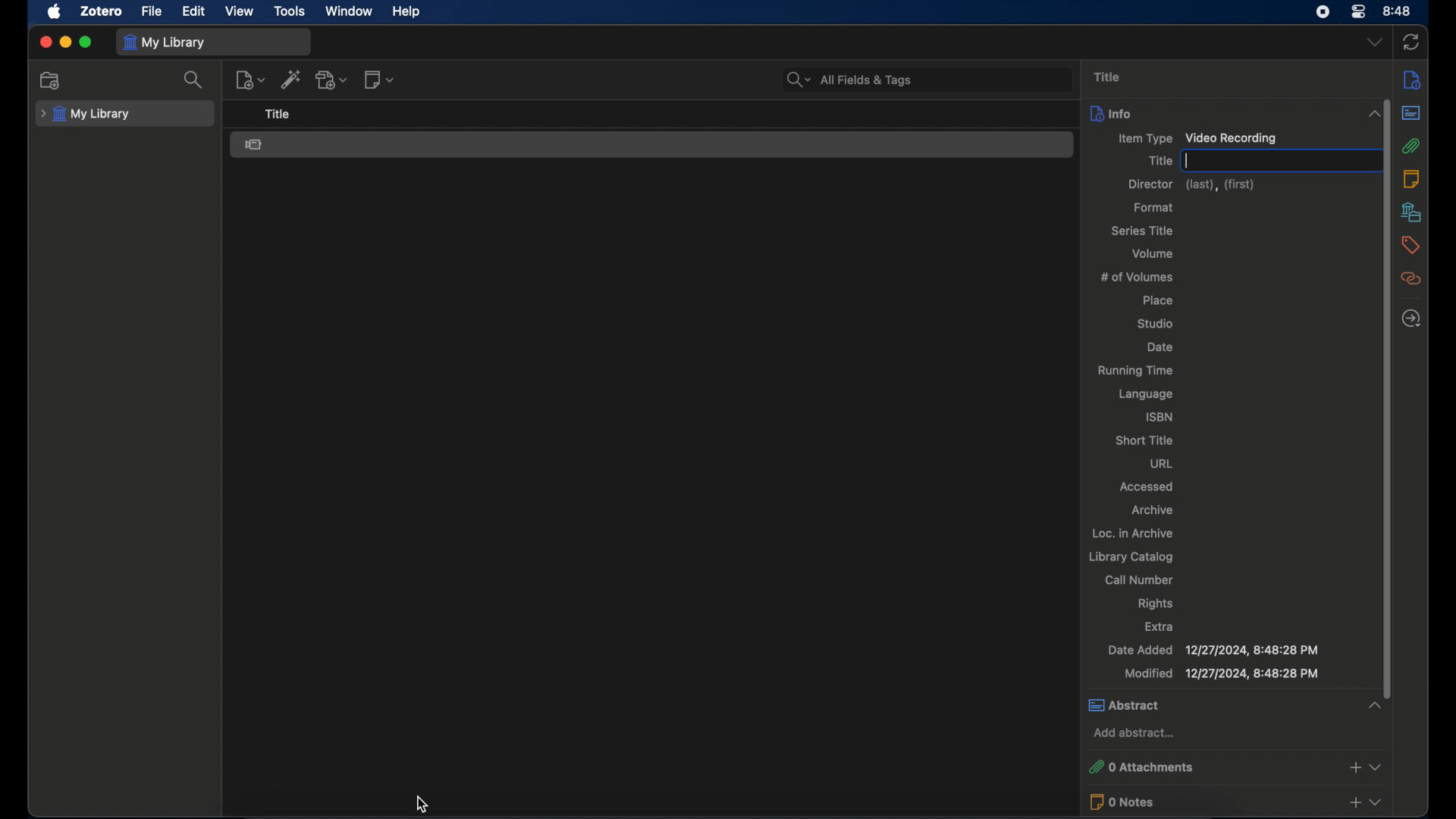 This screenshot has height=819, width=1456. I want to click on dropdown, so click(1377, 767).